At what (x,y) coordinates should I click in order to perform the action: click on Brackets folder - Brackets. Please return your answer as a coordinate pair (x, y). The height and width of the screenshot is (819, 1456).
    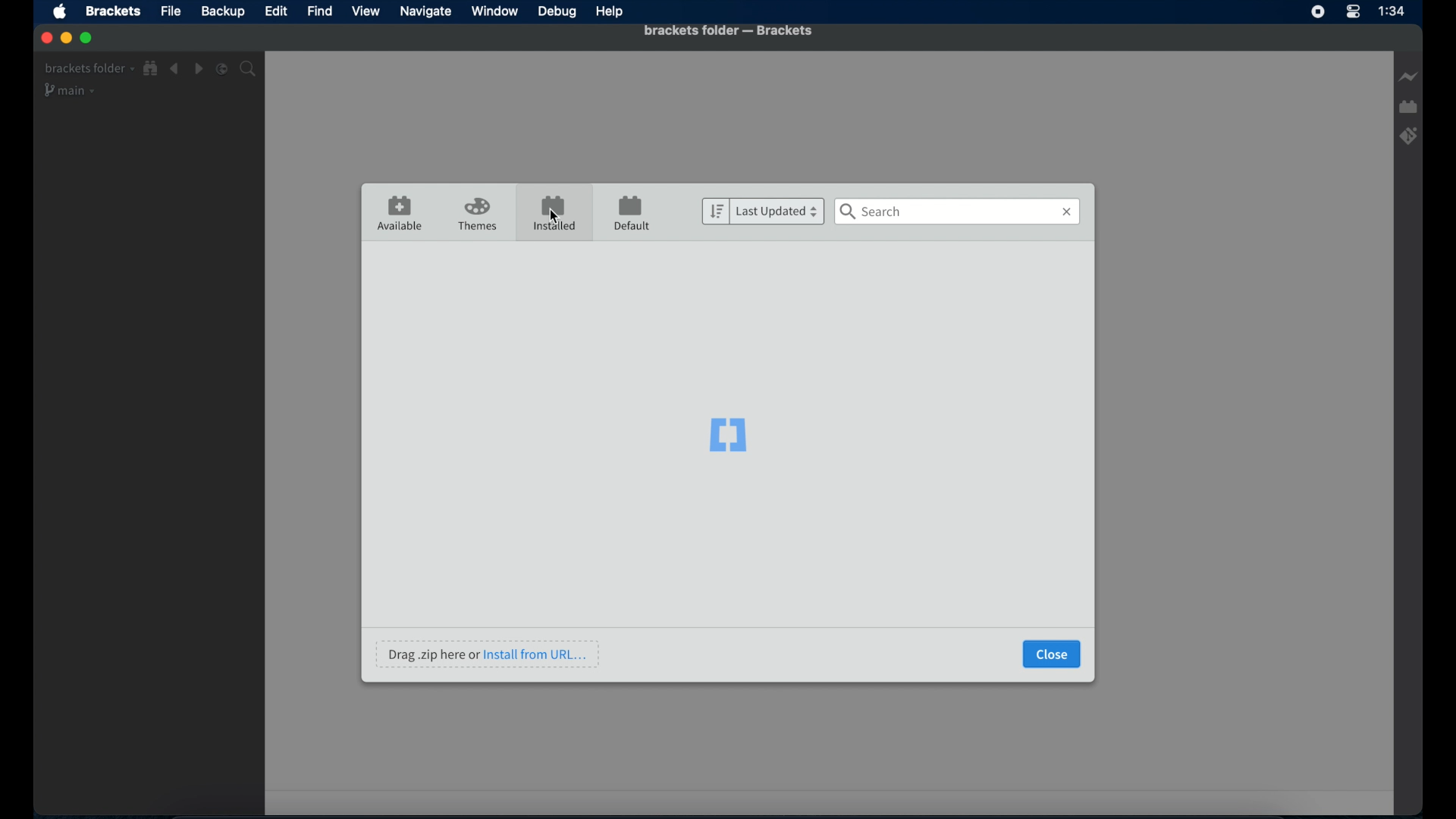
    Looking at the image, I should click on (703, 30).